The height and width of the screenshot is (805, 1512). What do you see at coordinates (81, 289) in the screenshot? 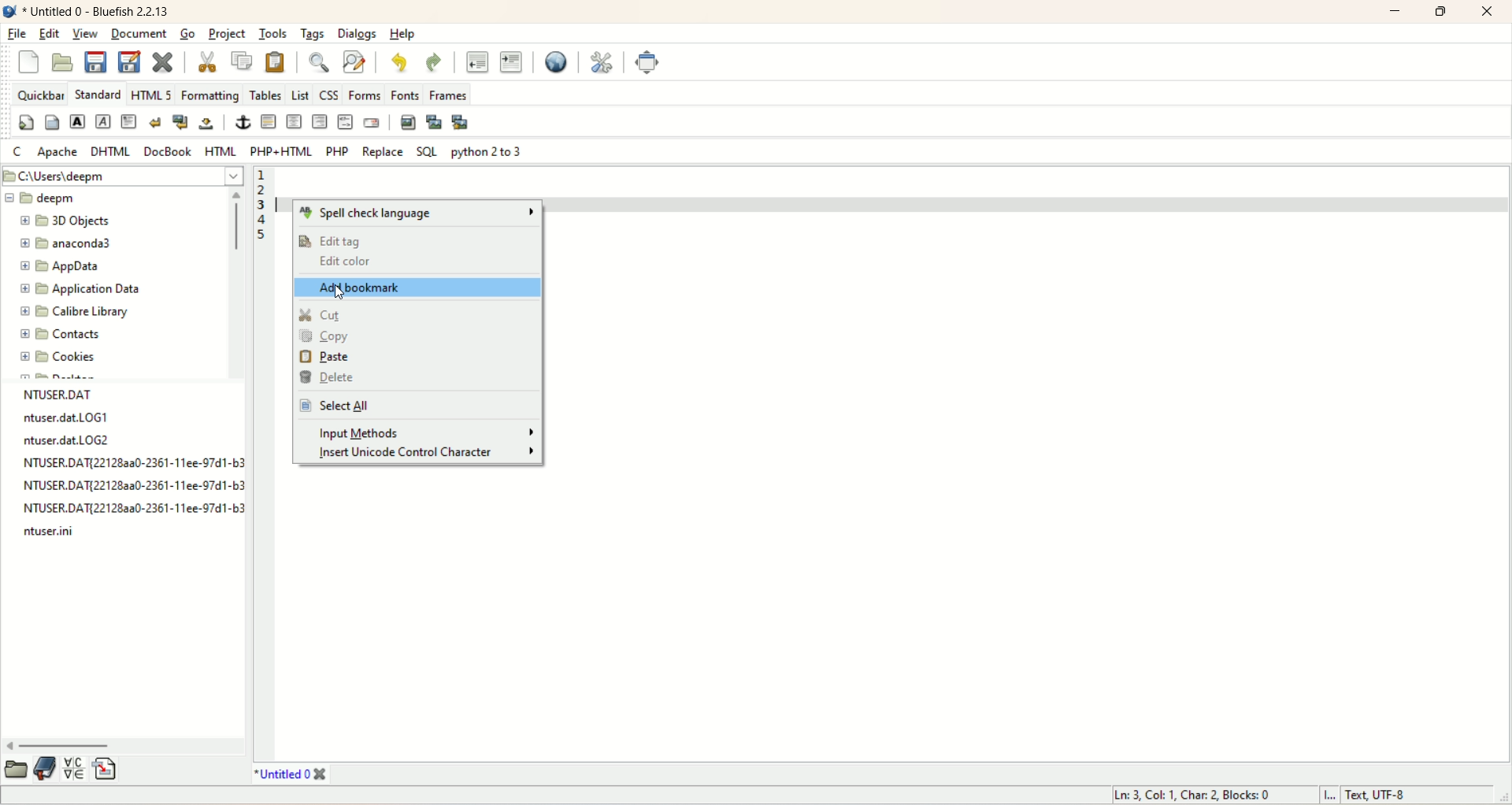
I see `application data` at bounding box center [81, 289].